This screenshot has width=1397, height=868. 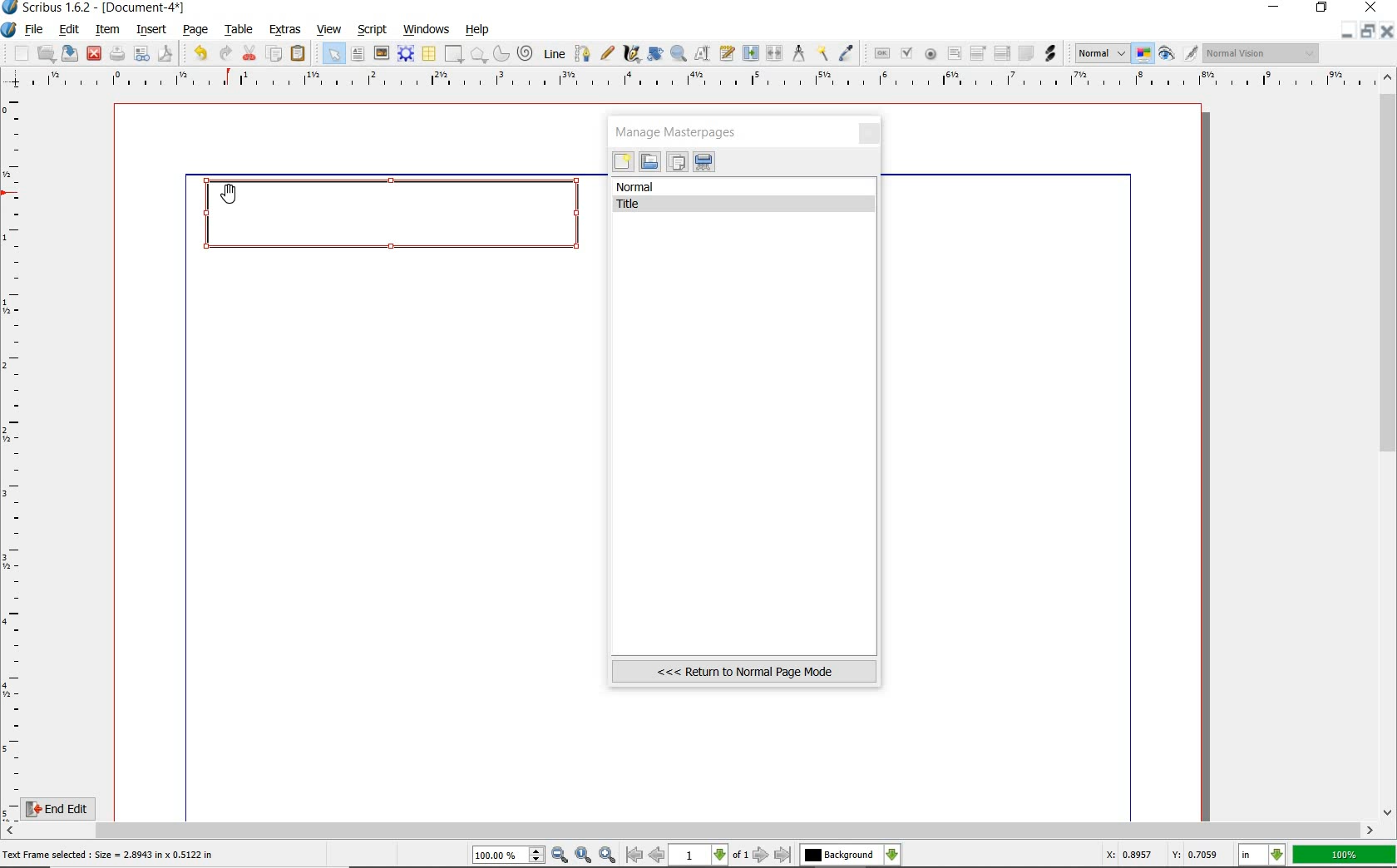 I want to click on save as pdf, so click(x=164, y=53).